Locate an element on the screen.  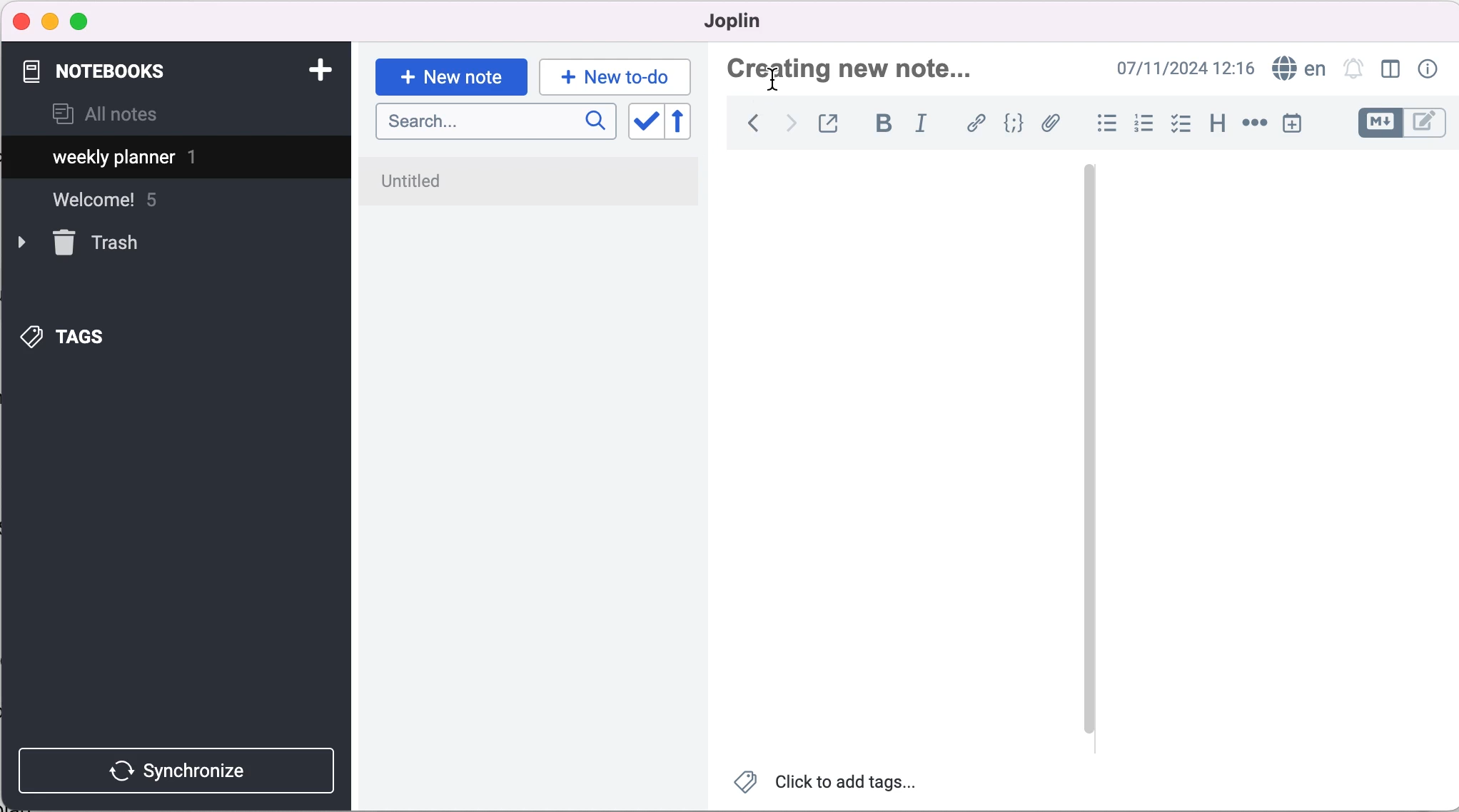
horizontal rules is located at coordinates (1252, 124).